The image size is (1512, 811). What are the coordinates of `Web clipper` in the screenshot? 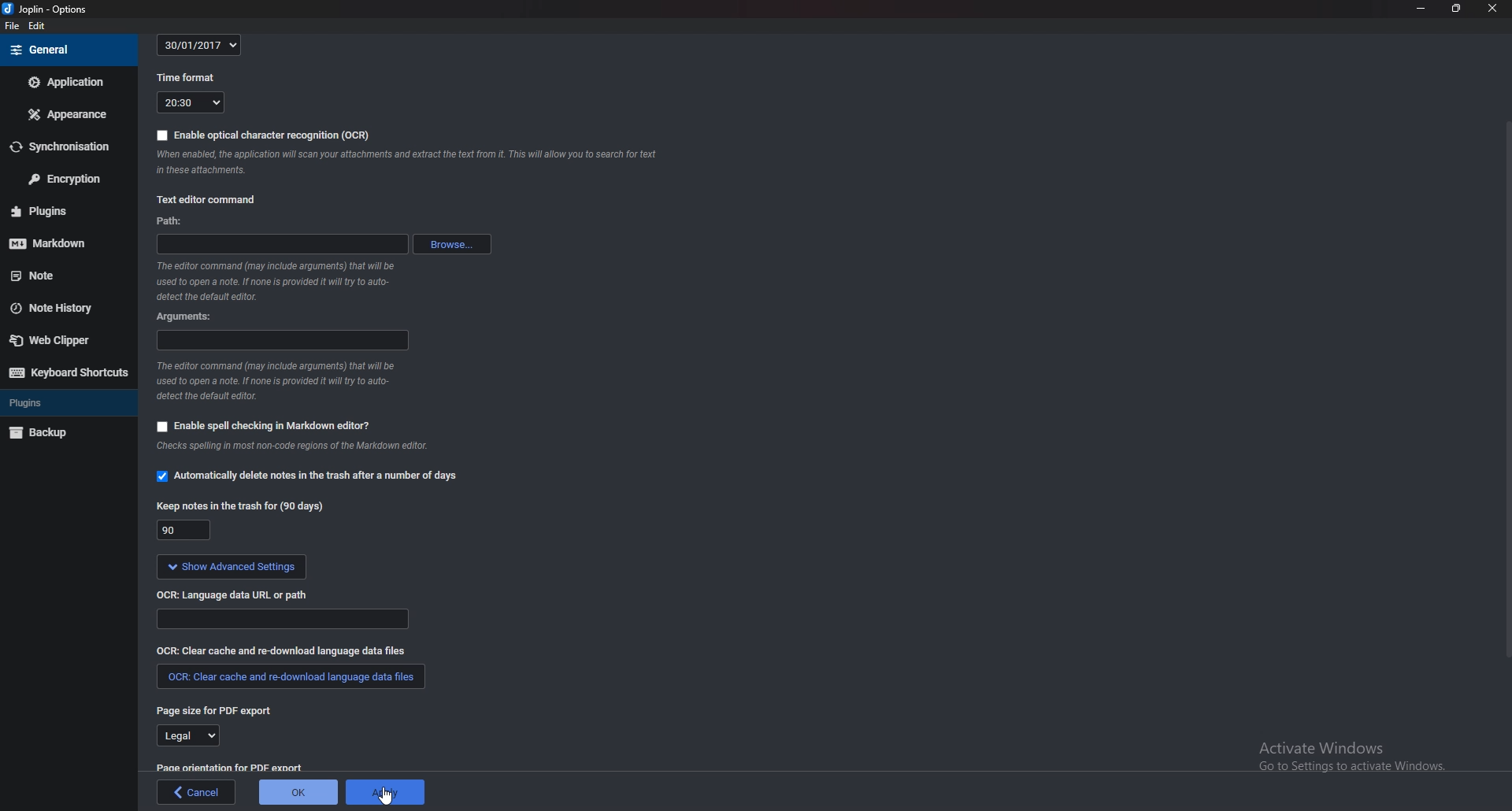 It's located at (61, 339).